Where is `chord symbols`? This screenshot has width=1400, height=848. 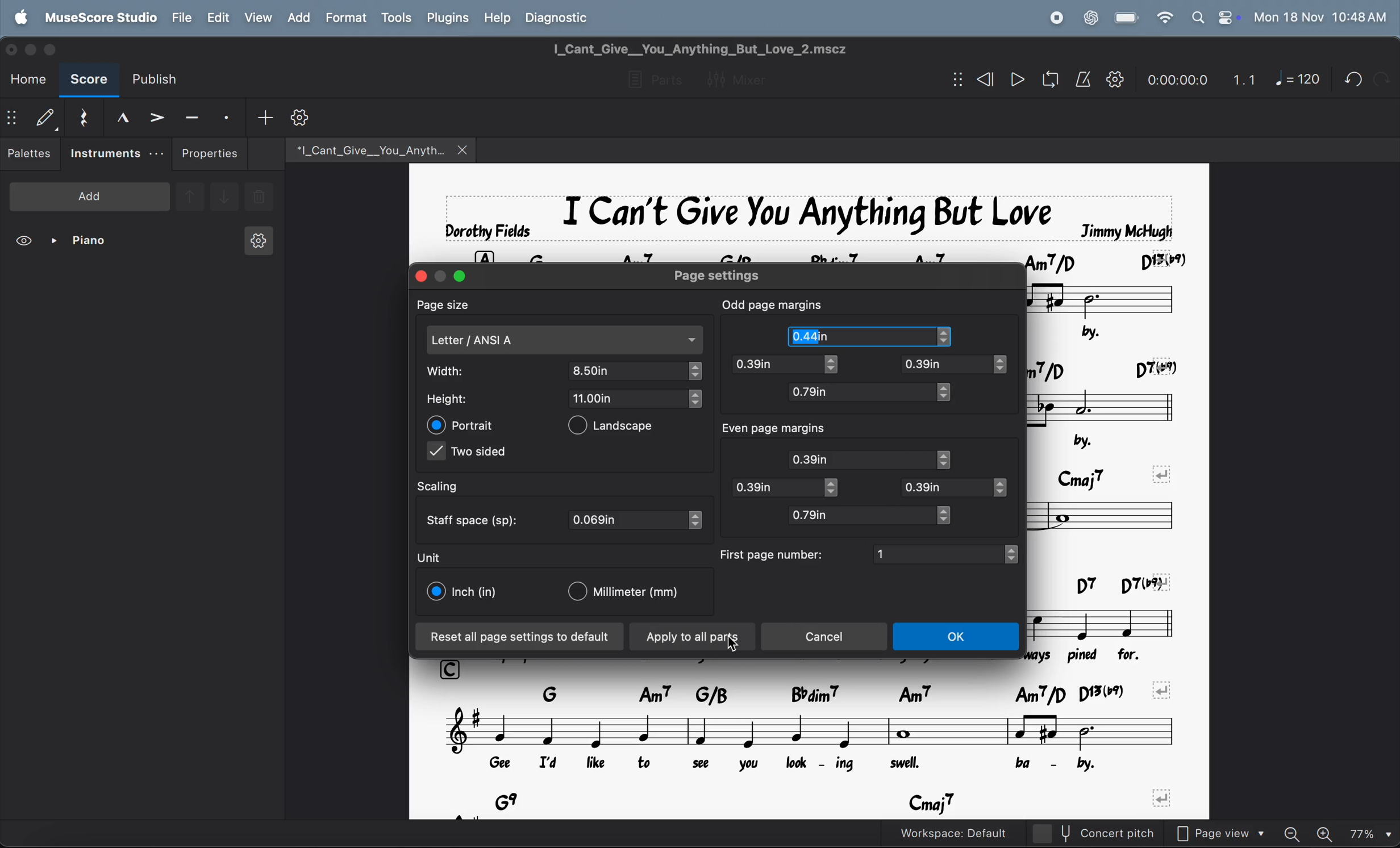 chord symbols is located at coordinates (835, 691).